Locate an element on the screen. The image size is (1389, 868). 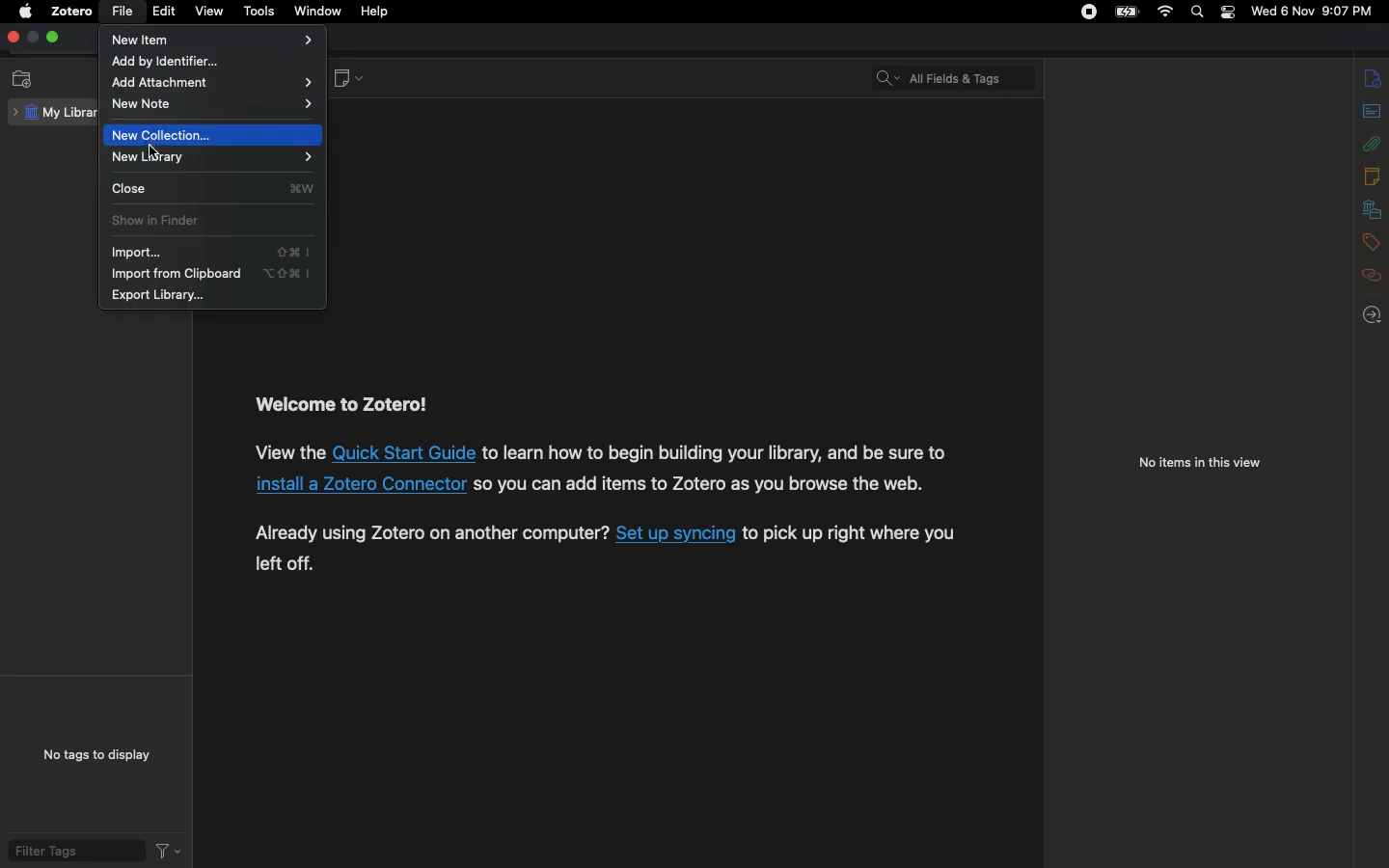
Window is located at coordinates (320, 11).